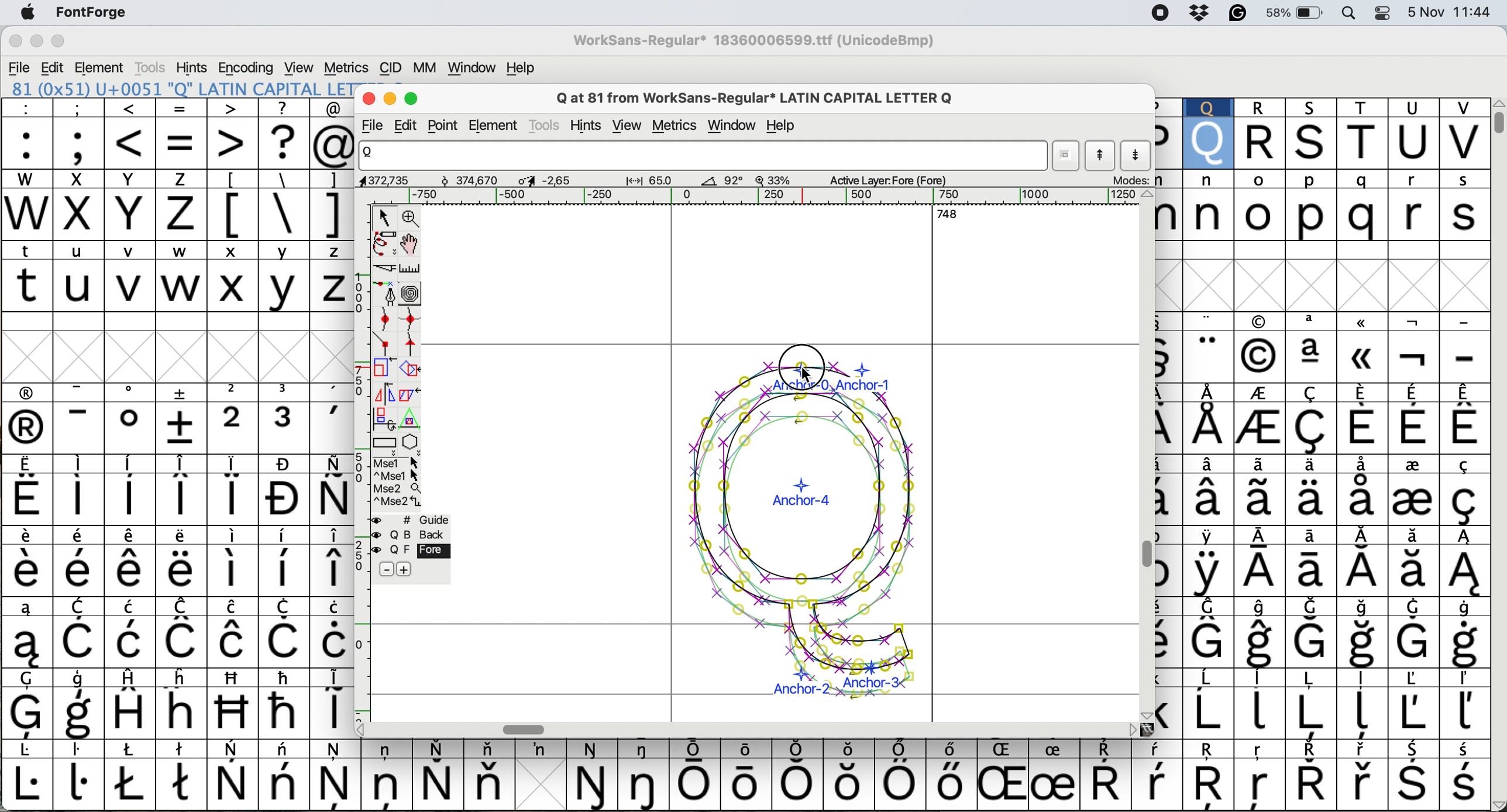  What do you see at coordinates (1324, 132) in the screenshot?
I see `uppercase letters` at bounding box center [1324, 132].